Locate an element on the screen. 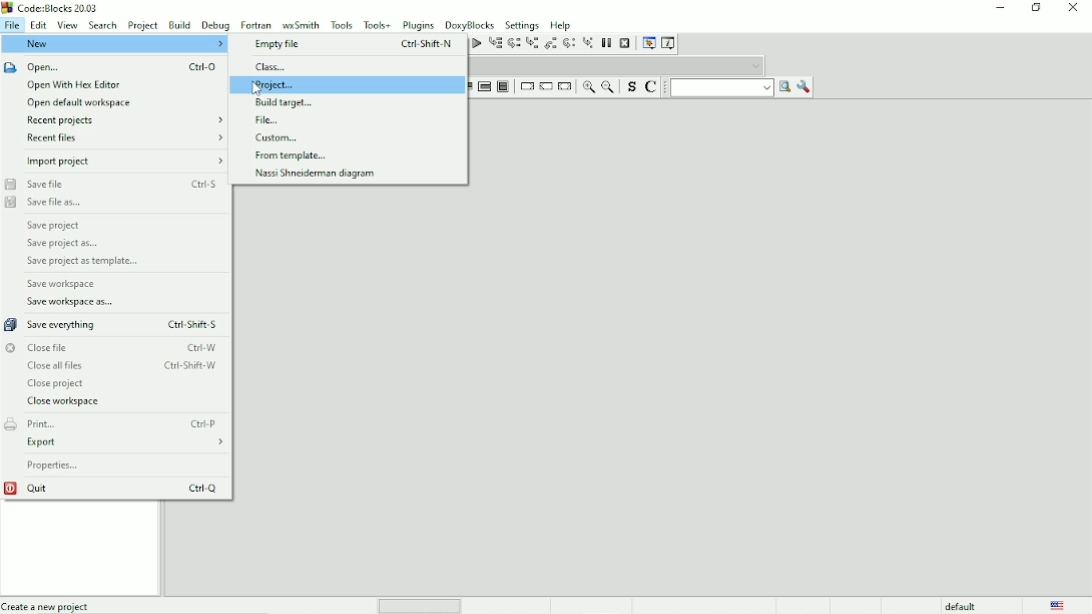  Close file is located at coordinates (111, 347).